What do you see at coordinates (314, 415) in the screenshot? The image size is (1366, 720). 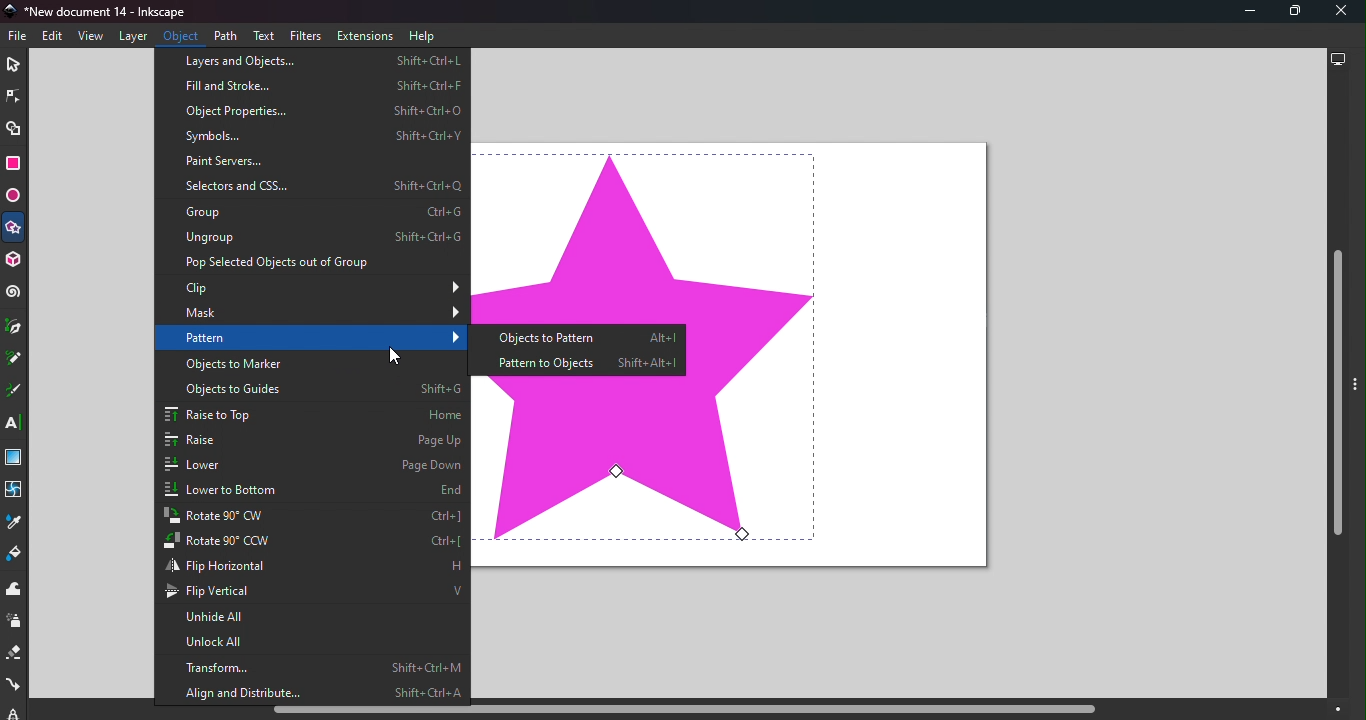 I see `Raise to top` at bounding box center [314, 415].